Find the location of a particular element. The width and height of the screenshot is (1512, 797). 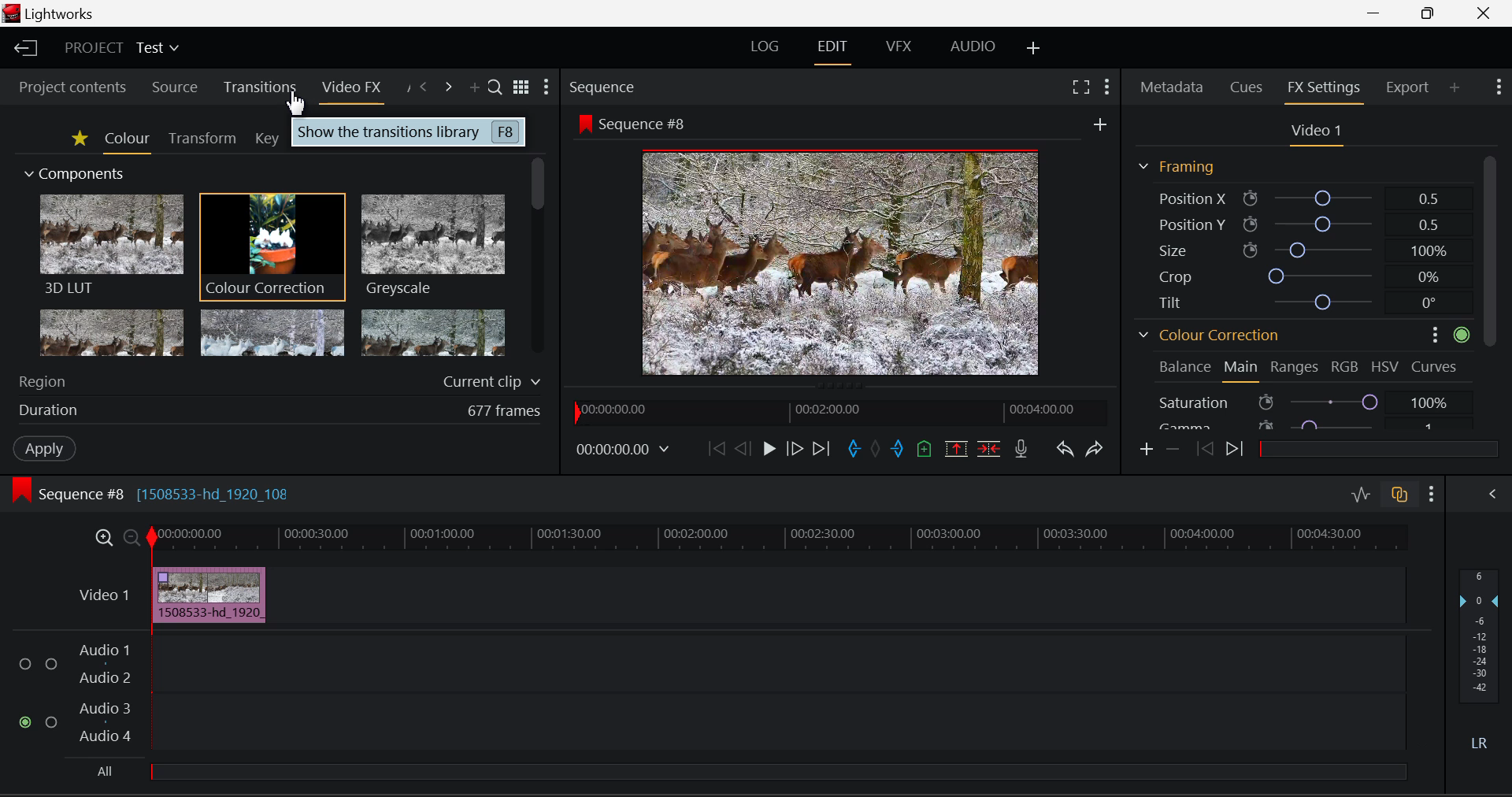

Toggle between title and list view is located at coordinates (521, 85).